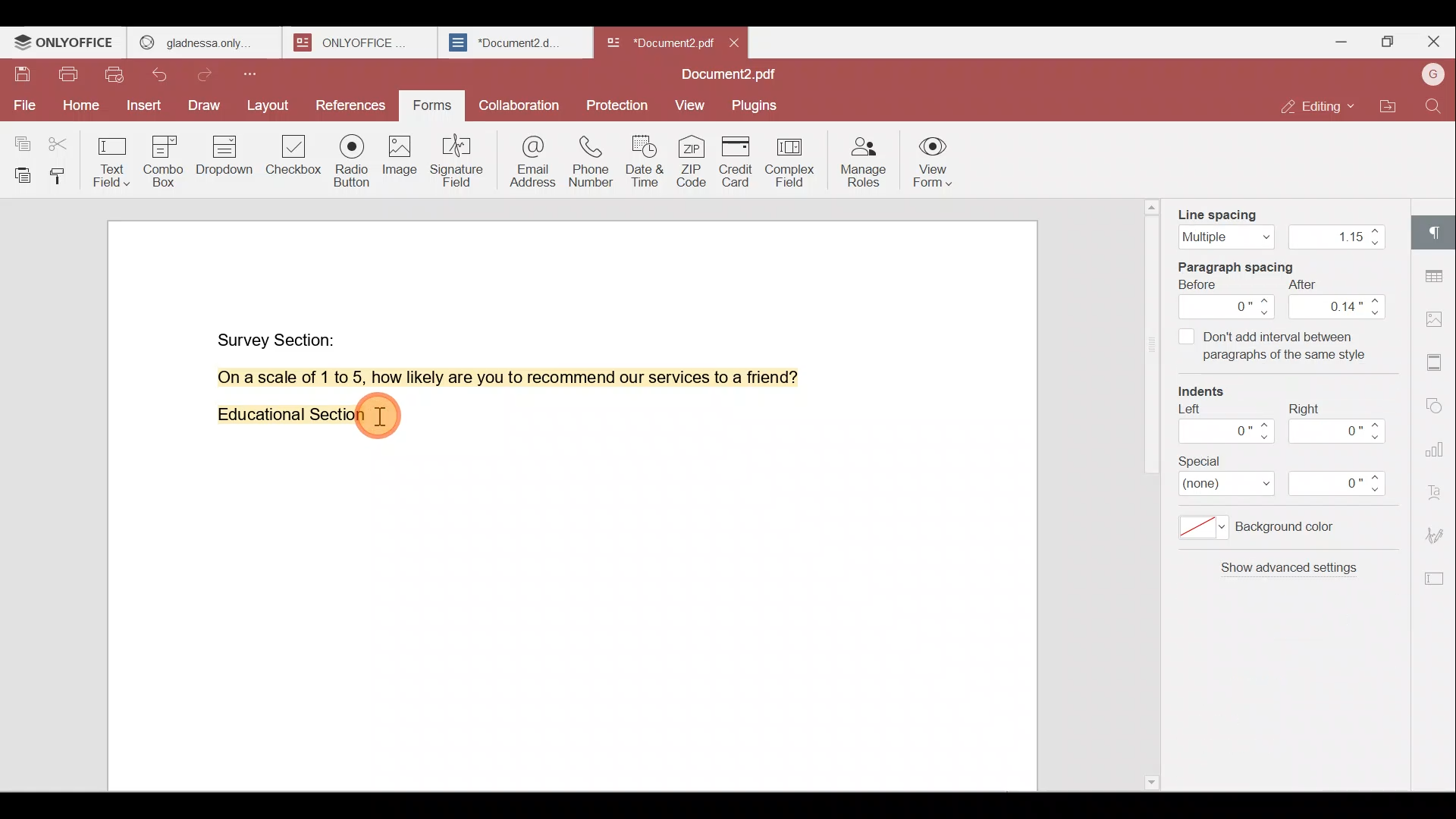 The width and height of the screenshot is (1456, 819). What do you see at coordinates (1286, 574) in the screenshot?
I see `Show advanced settings` at bounding box center [1286, 574].